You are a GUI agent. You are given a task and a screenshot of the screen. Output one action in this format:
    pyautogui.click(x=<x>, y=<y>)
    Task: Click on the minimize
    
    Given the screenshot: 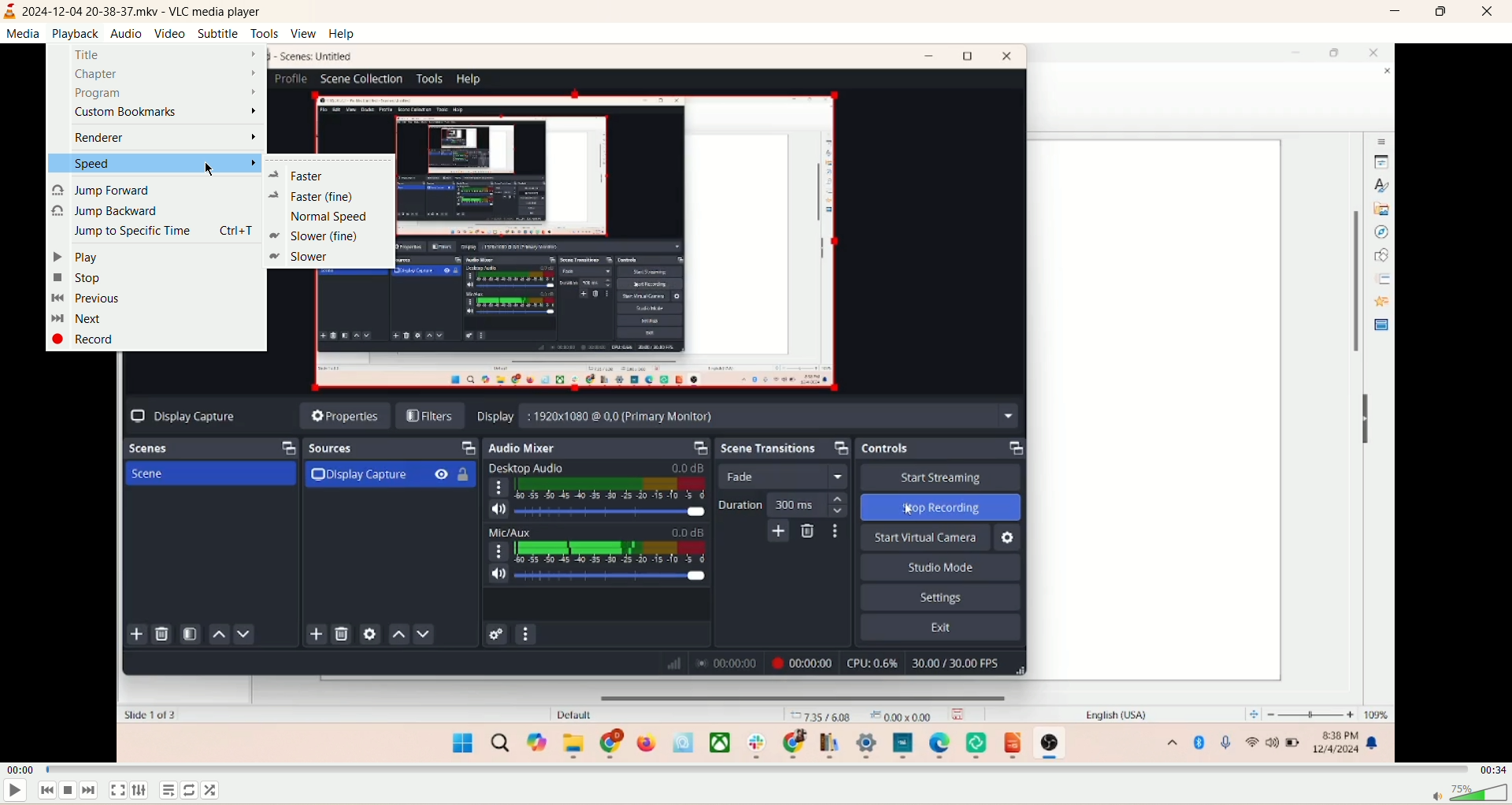 What is the action you would take?
    pyautogui.click(x=1395, y=12)
    